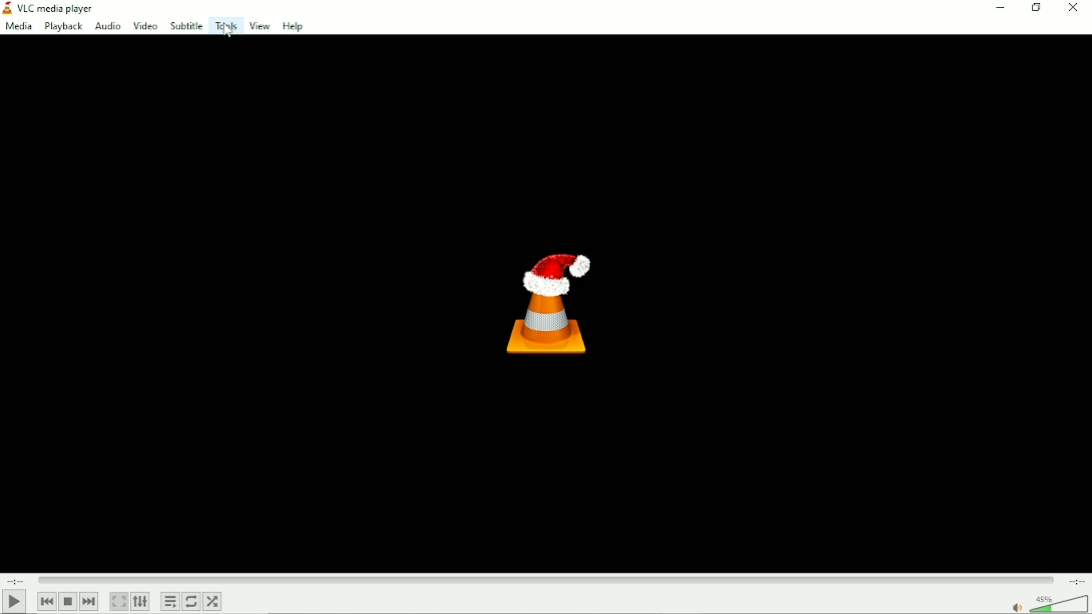 Image resolution: width=1092 pixels, height=614 pixels. I want to click on Random, so click(213, 603).